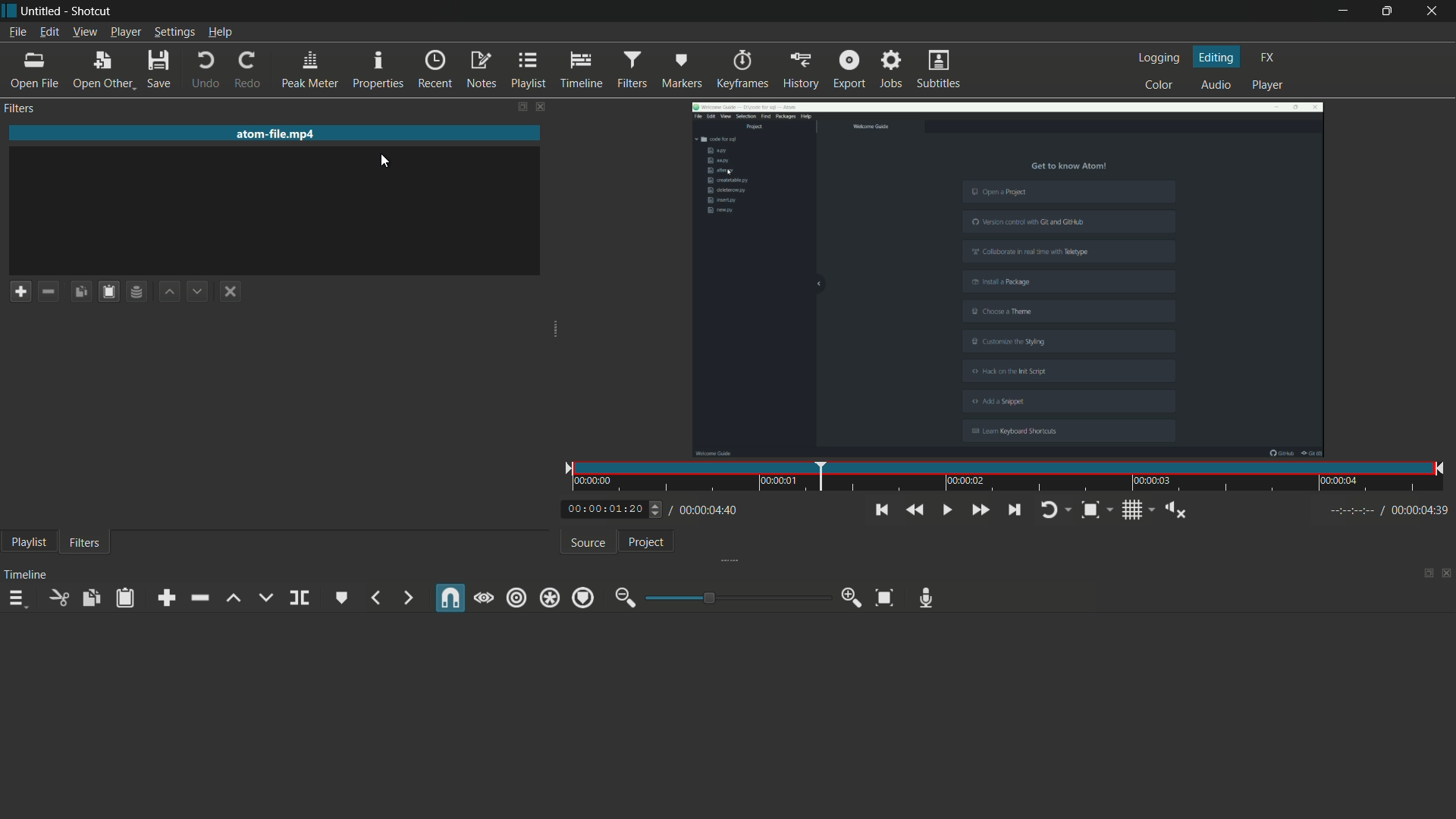 Image resolution: width=1456 pixels, height=819 pixels. I want to click on ripple delete, so click(199, 598).